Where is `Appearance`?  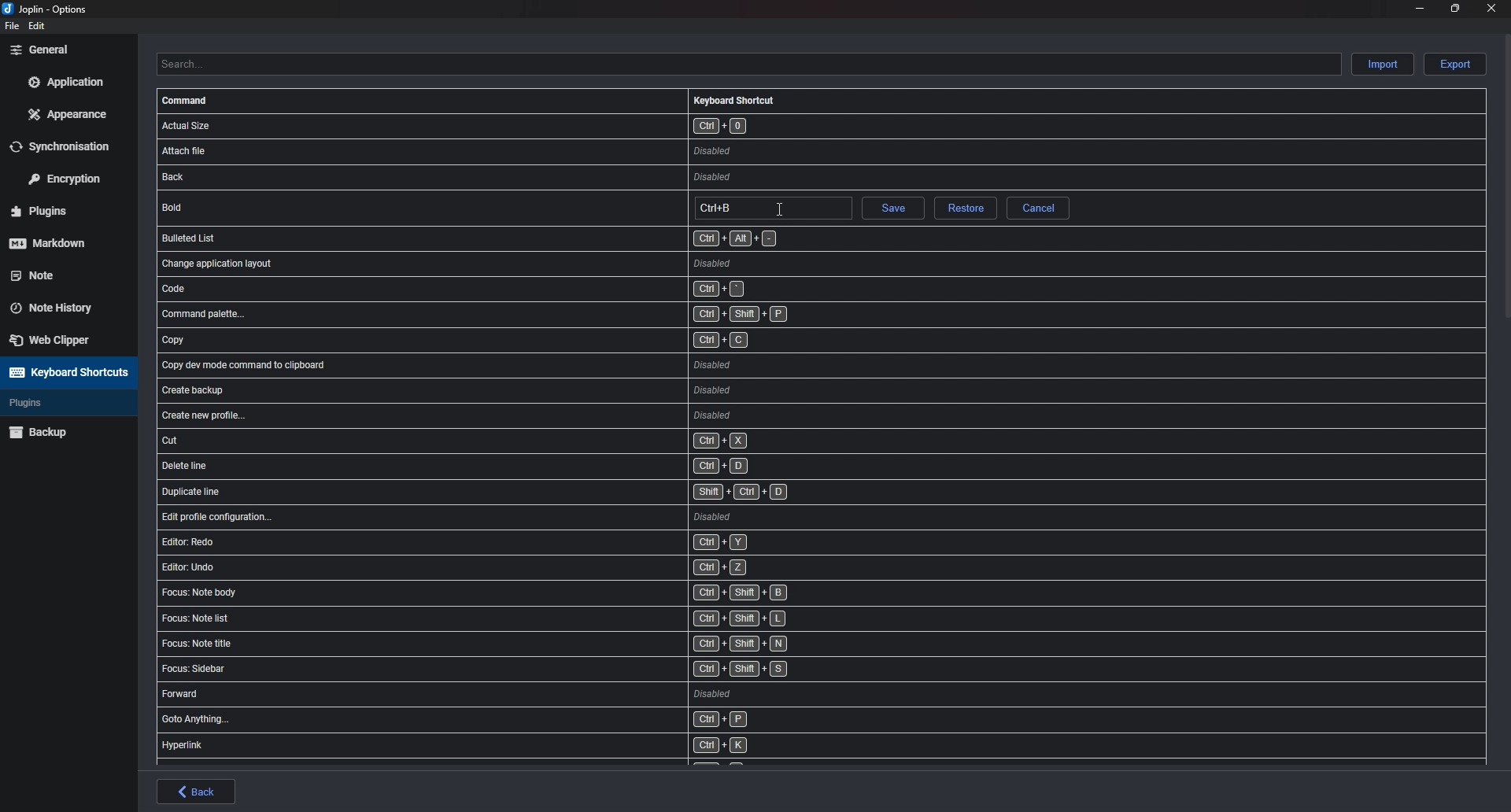
Appearance is located at coordinates (69, 113).